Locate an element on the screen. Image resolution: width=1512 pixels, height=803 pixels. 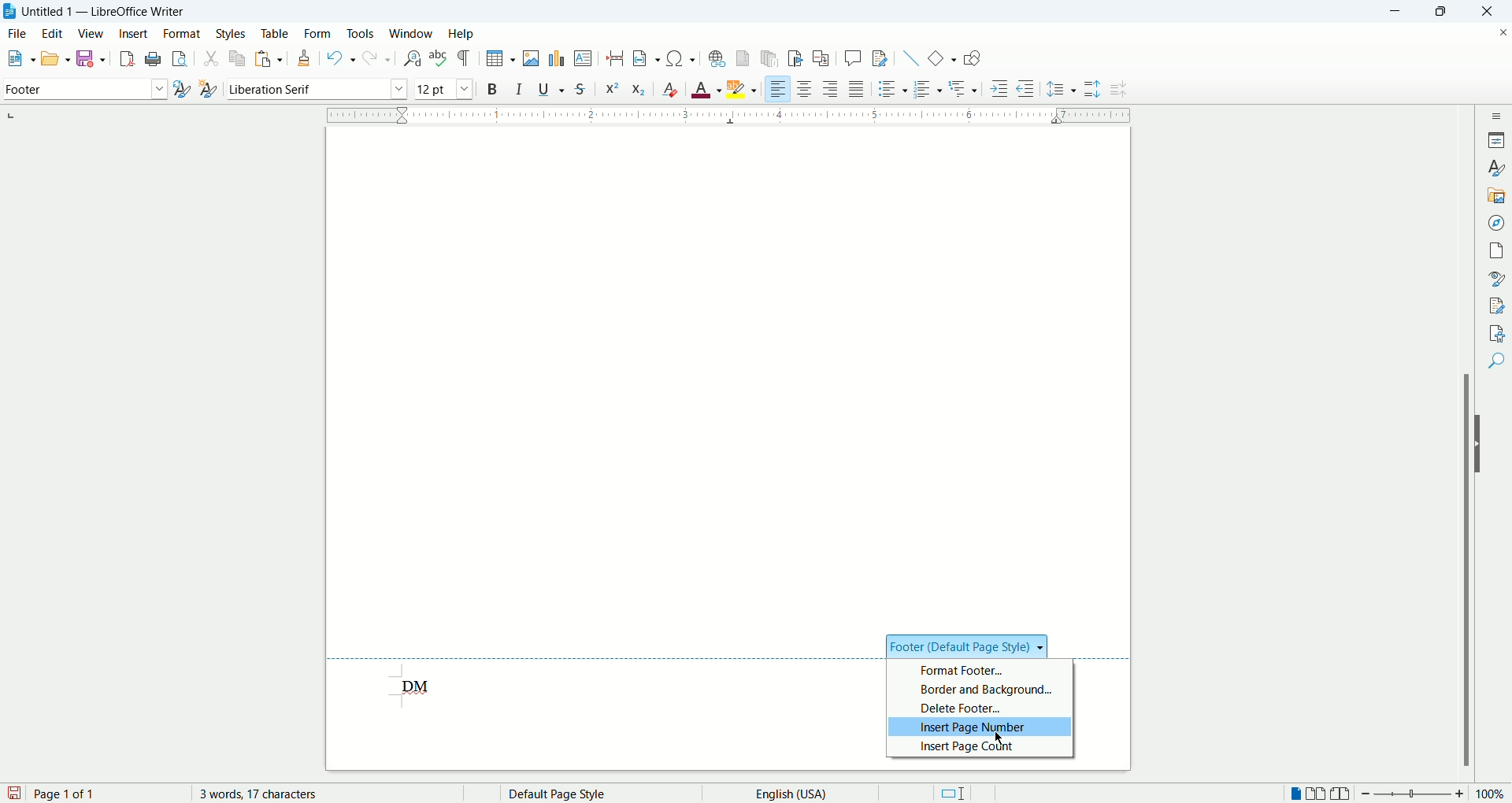
style inspector is located at coordinates (1499, 279).